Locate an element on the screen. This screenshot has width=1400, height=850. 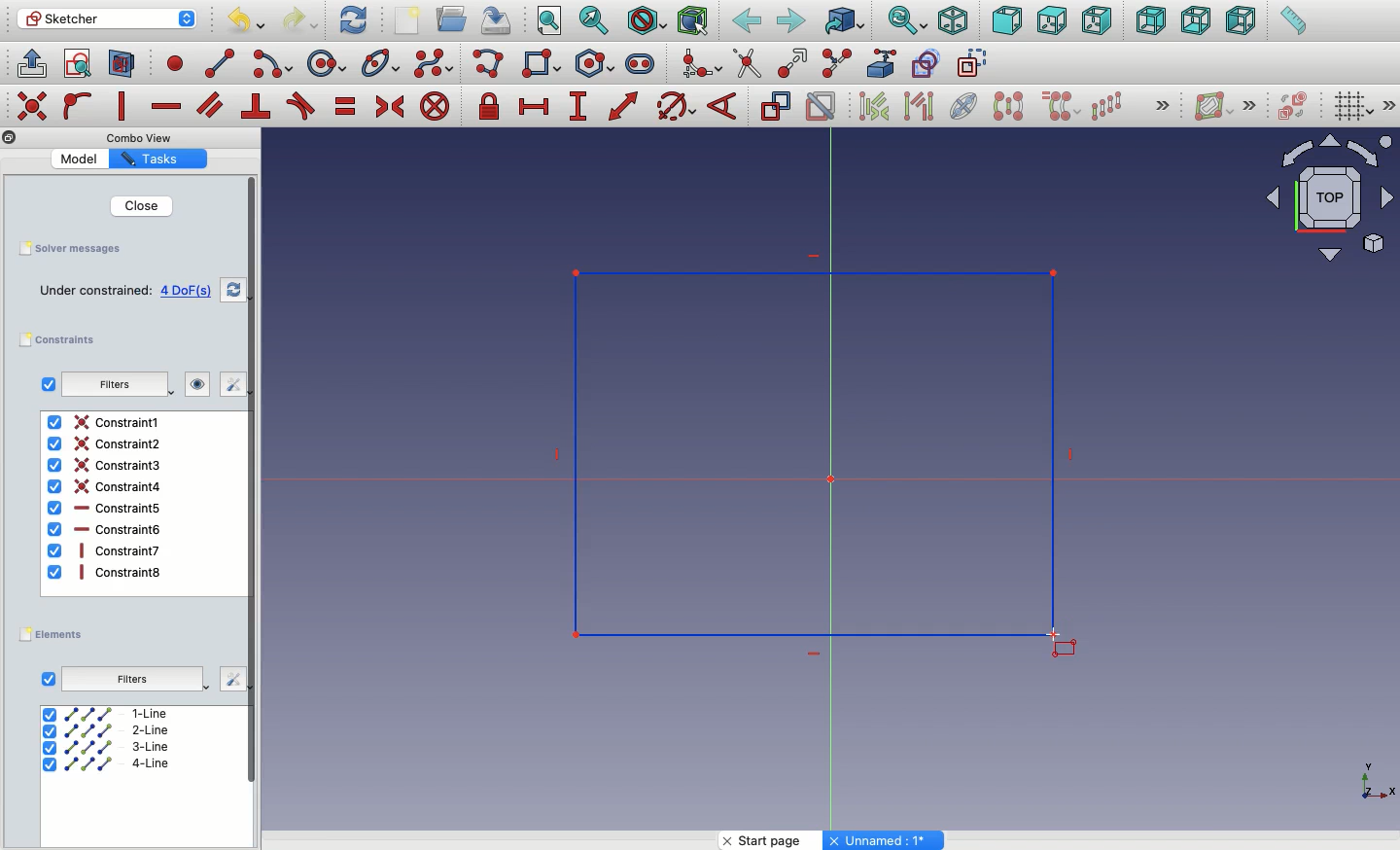
Carbon copy is located at coordinates (925, 63).